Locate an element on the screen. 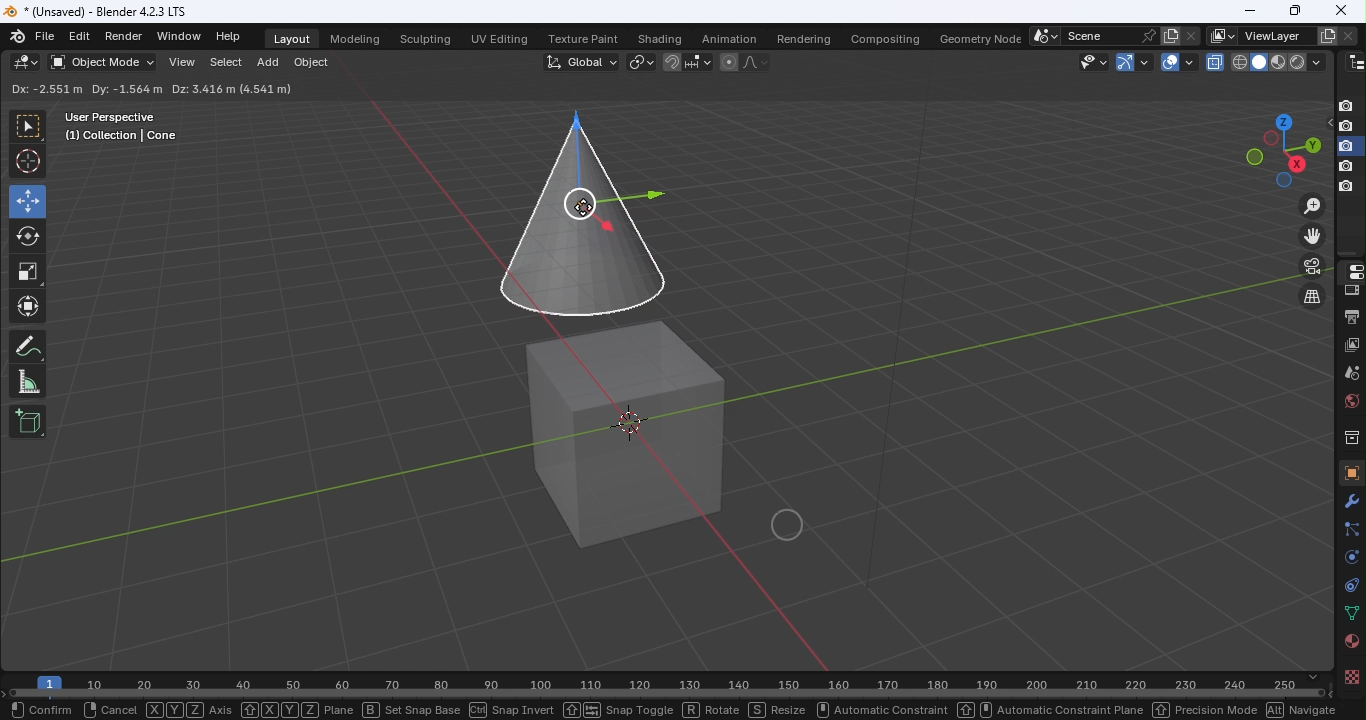 This screenshot has height=720, width=1366. Move the view is located at coordinates (1313, 236).